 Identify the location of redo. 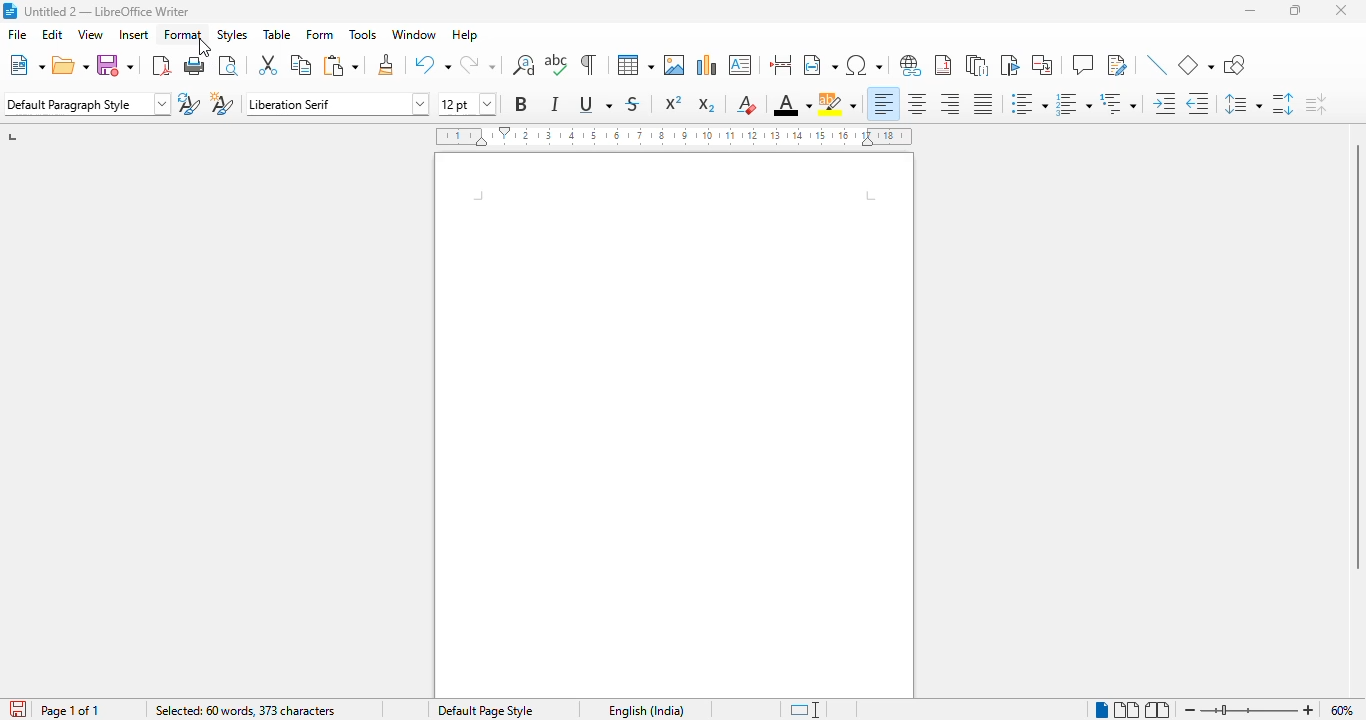
(477, 65).